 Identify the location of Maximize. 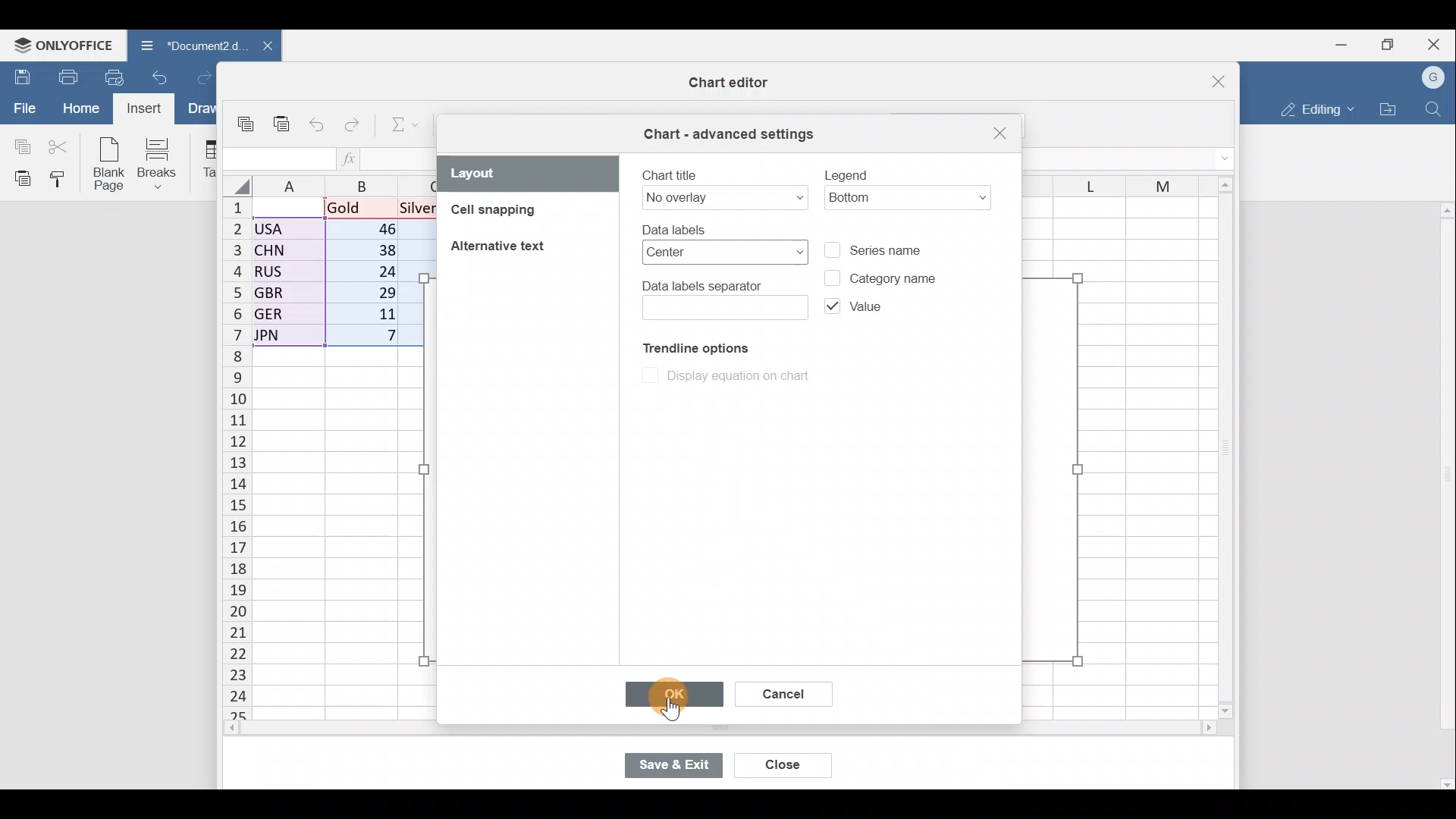
(1394, 43).